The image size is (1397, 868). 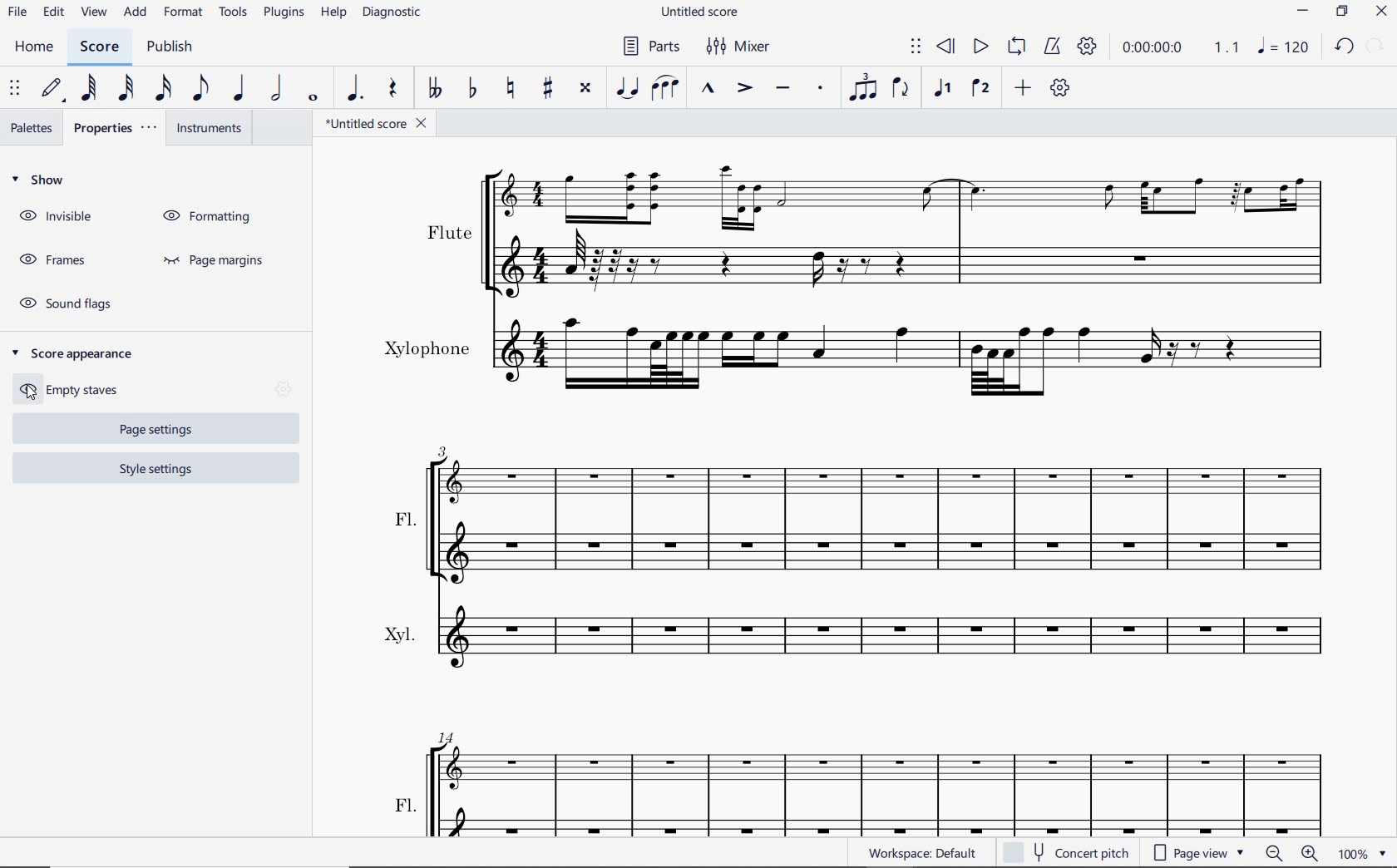 What do you see at coordinates (313, 96) in the screenshot?
I see `WHOLE NOTE` at bounding box center [313, 96].